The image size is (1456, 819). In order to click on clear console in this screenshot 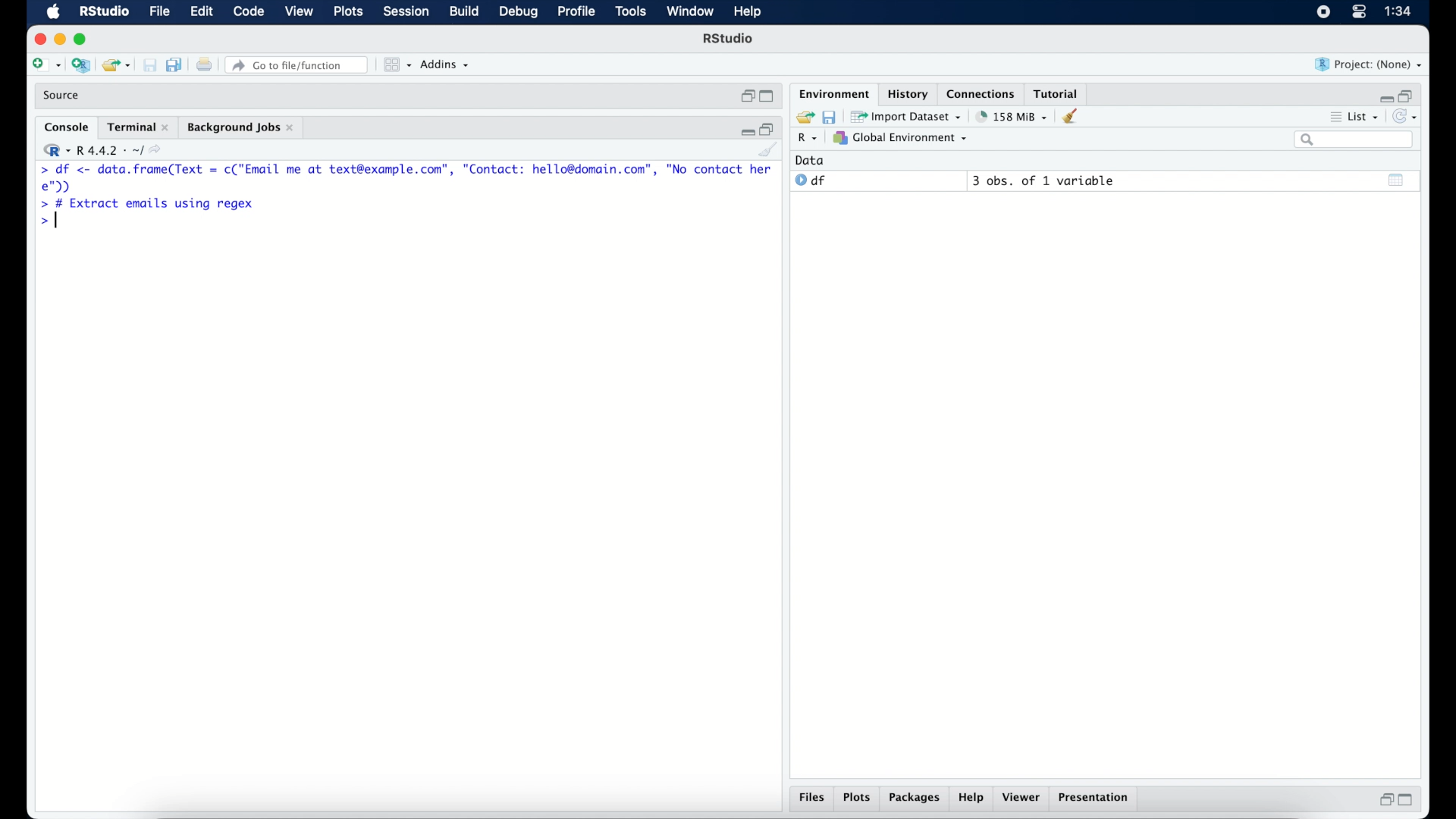, I will do `click(769, 151)`.